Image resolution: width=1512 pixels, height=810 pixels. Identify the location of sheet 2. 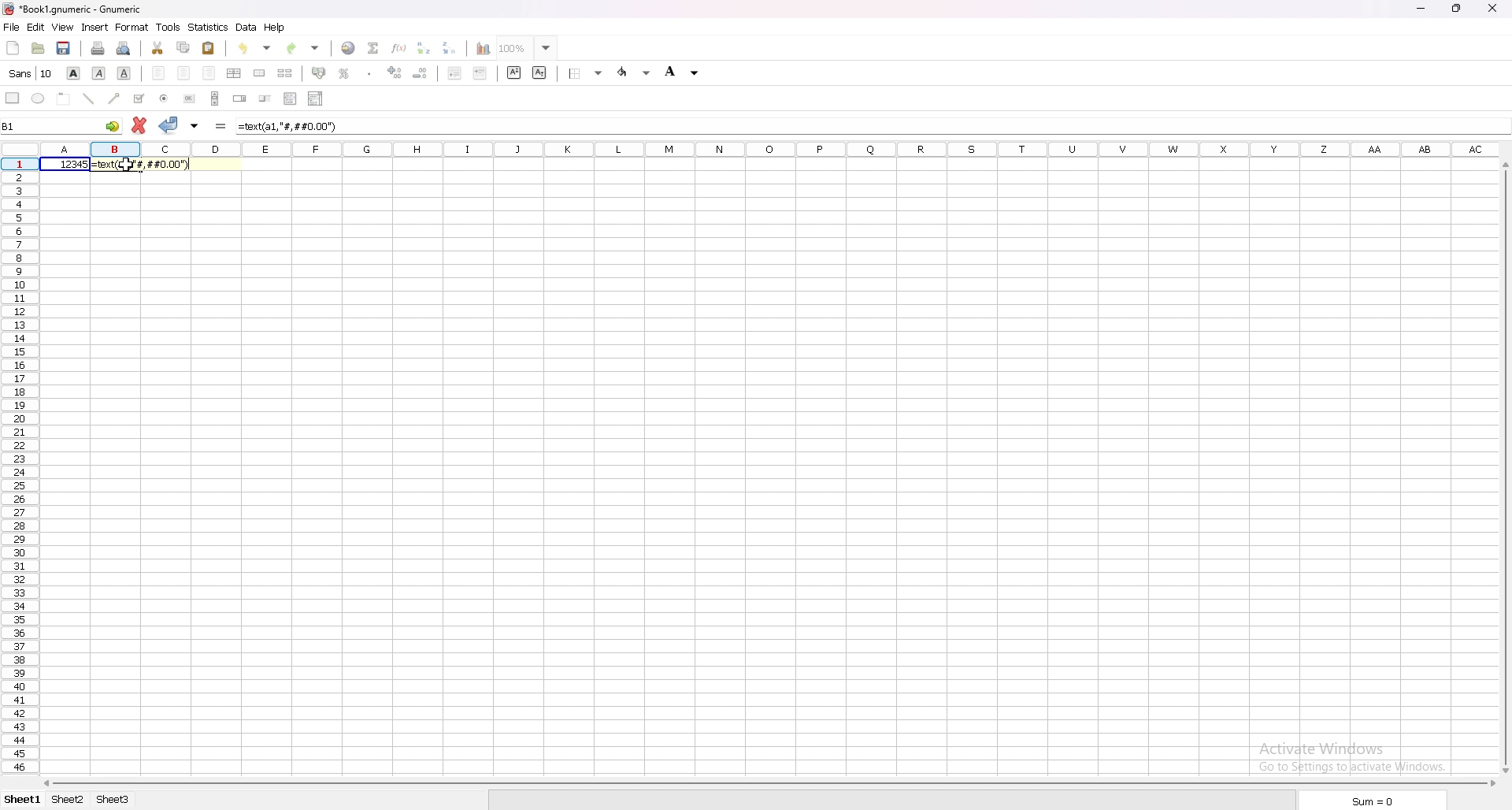
(66, 801).